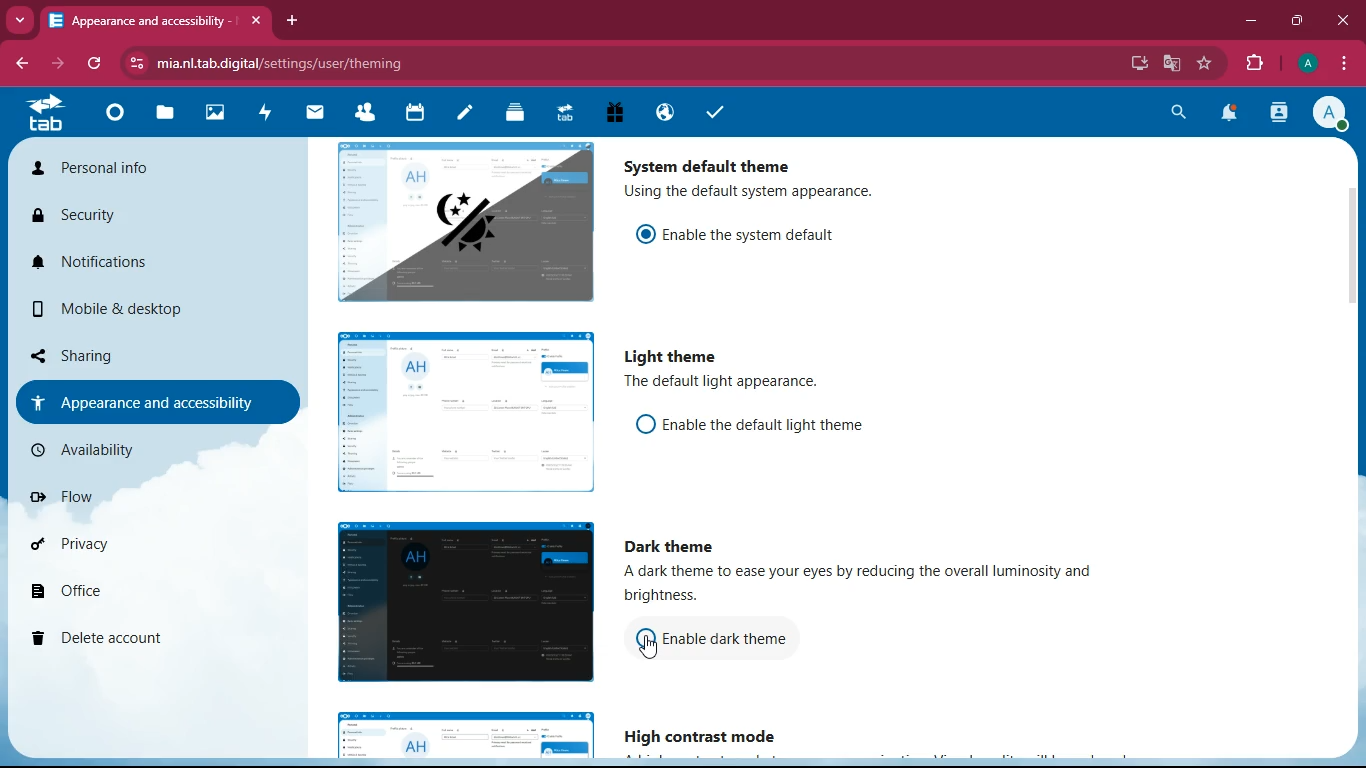 The width and height of the screenshot is (1366, 768). Describe the element at coordinates (715, 114) in the screenshot. I see `tasks` at that location.